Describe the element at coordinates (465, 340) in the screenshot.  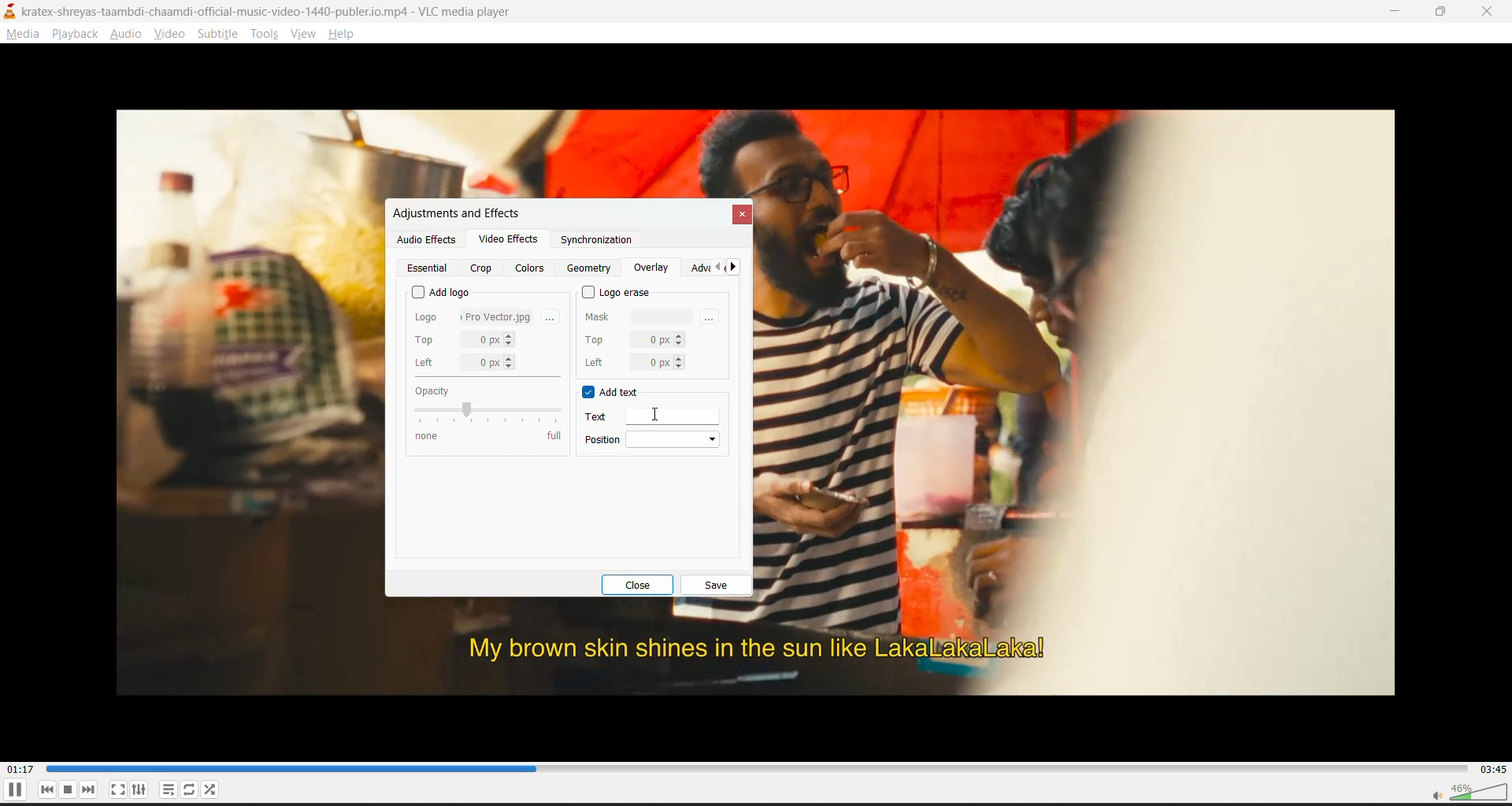
I see `top` at that location.